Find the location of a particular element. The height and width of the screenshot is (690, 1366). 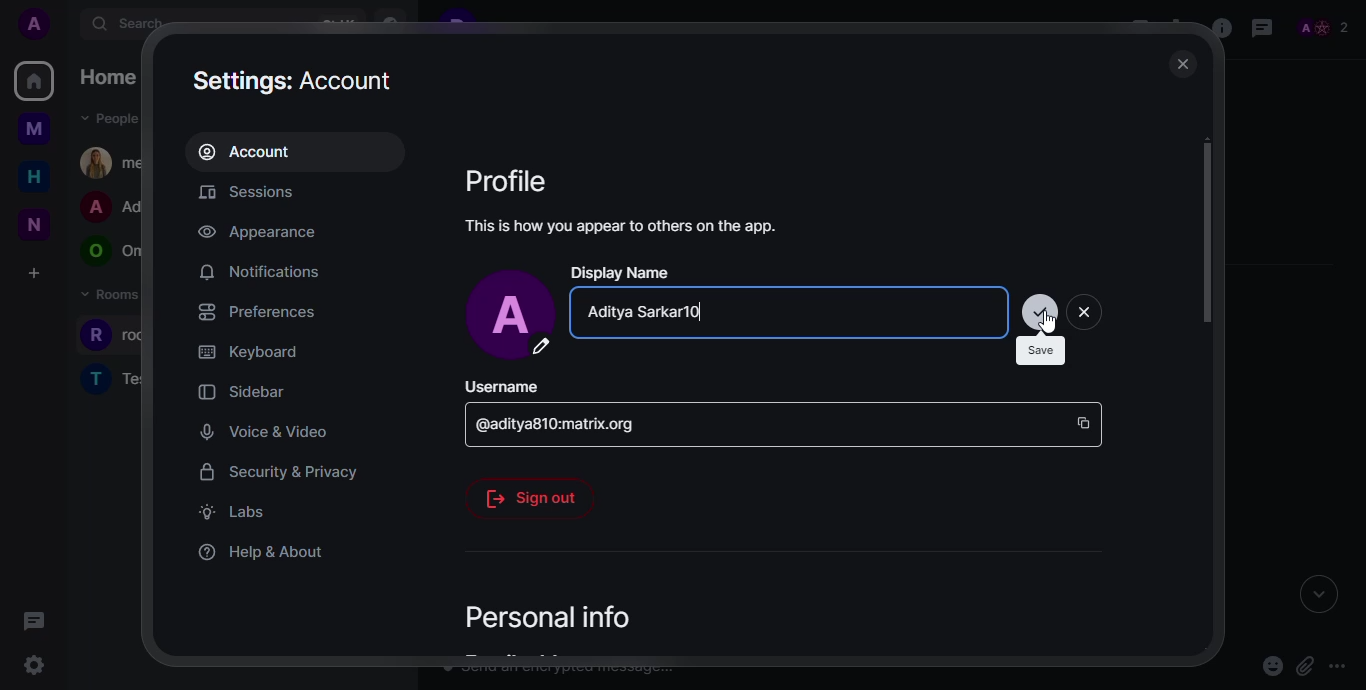

info is located at coordinates (624, 225).